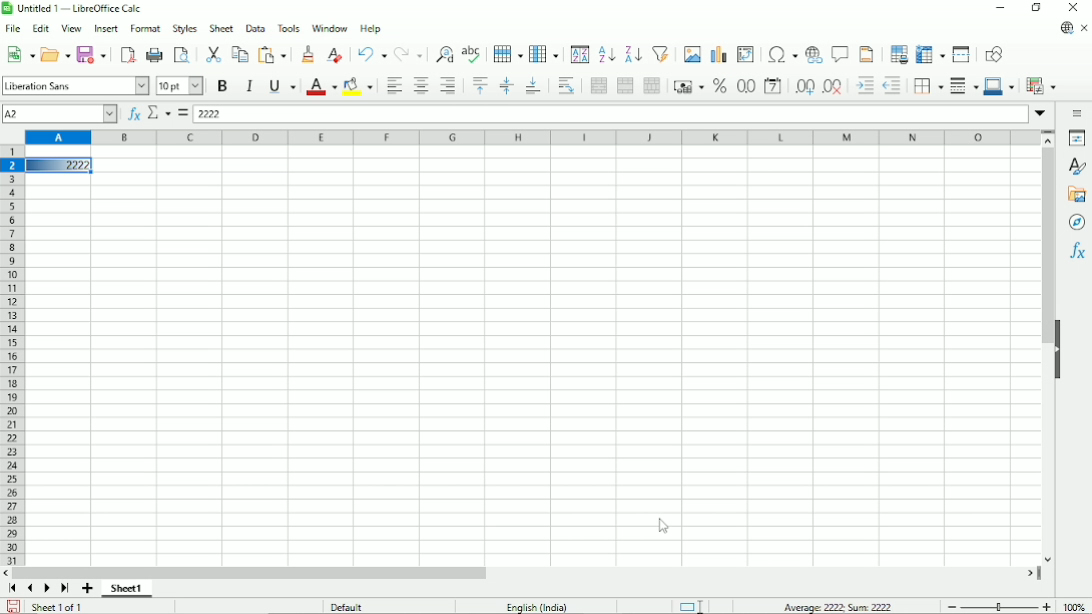 The width and height of the screenshot is (1092, 614). I want to click on Styles, so click(184, 28).